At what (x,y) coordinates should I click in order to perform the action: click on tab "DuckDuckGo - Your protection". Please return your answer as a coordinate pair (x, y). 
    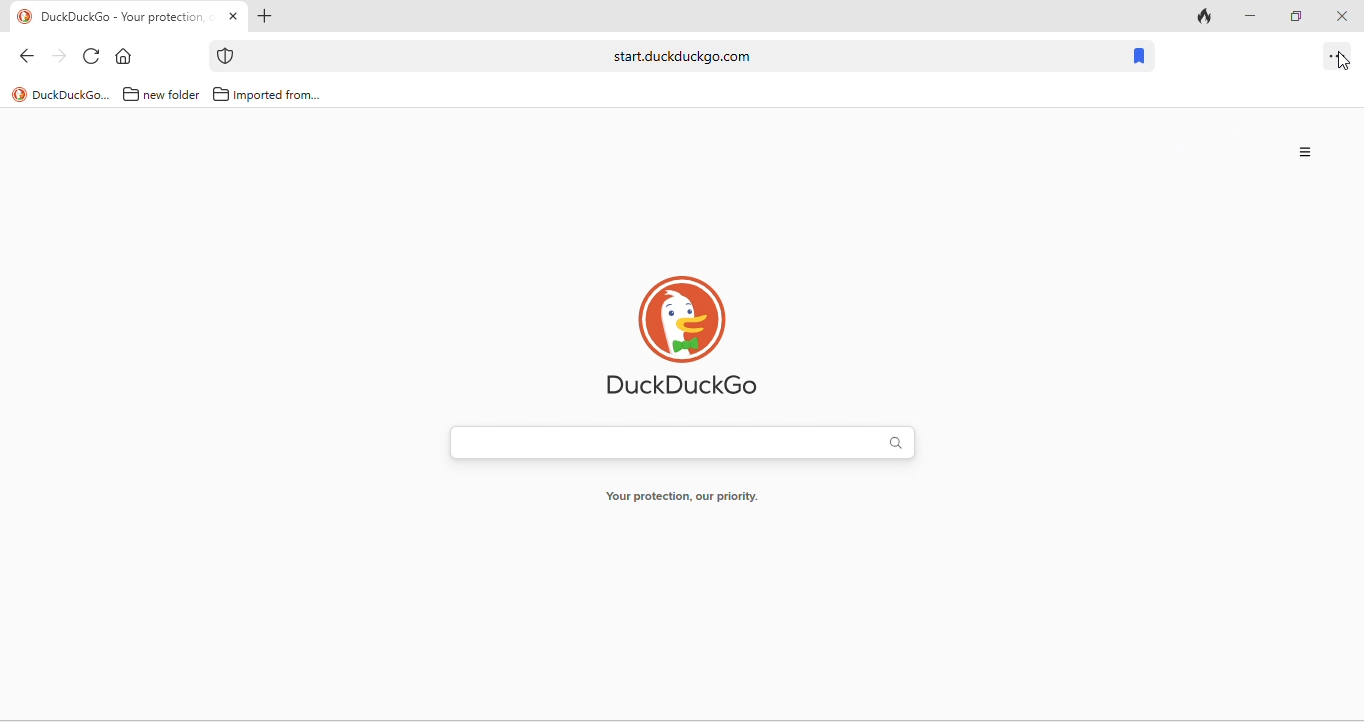
    Looking at the image, I should click on (129, 17).